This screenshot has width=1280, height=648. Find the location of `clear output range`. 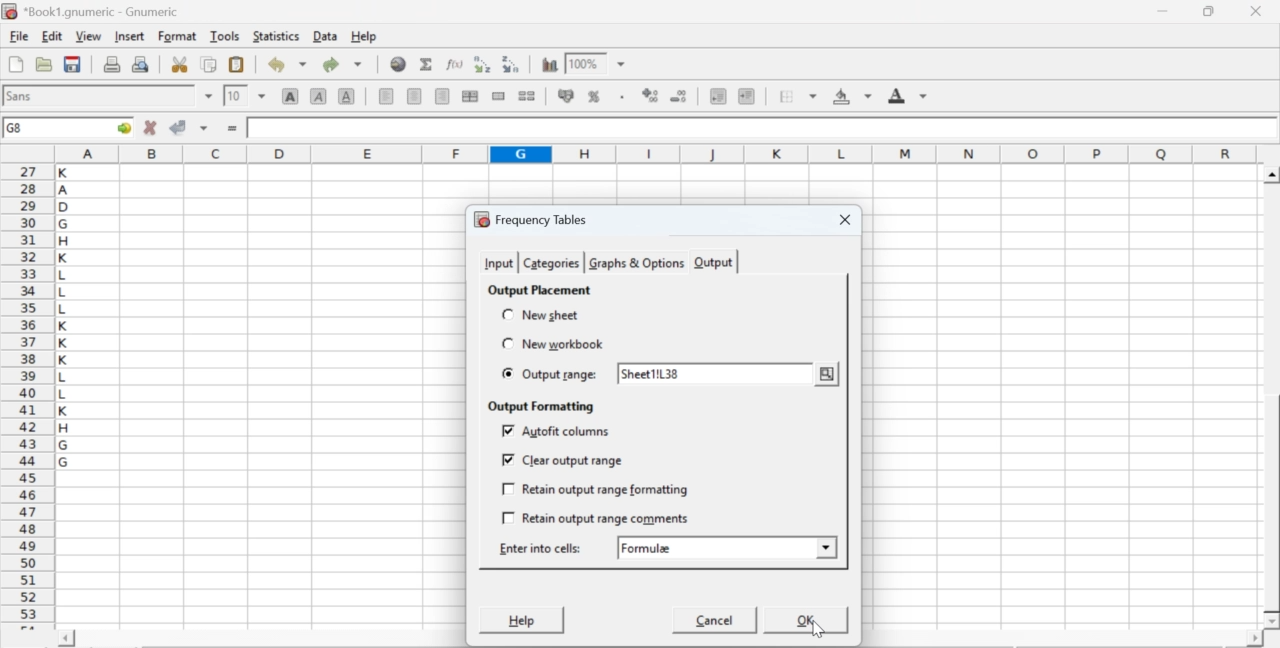

clear output range is located at coordinates (562, 460).